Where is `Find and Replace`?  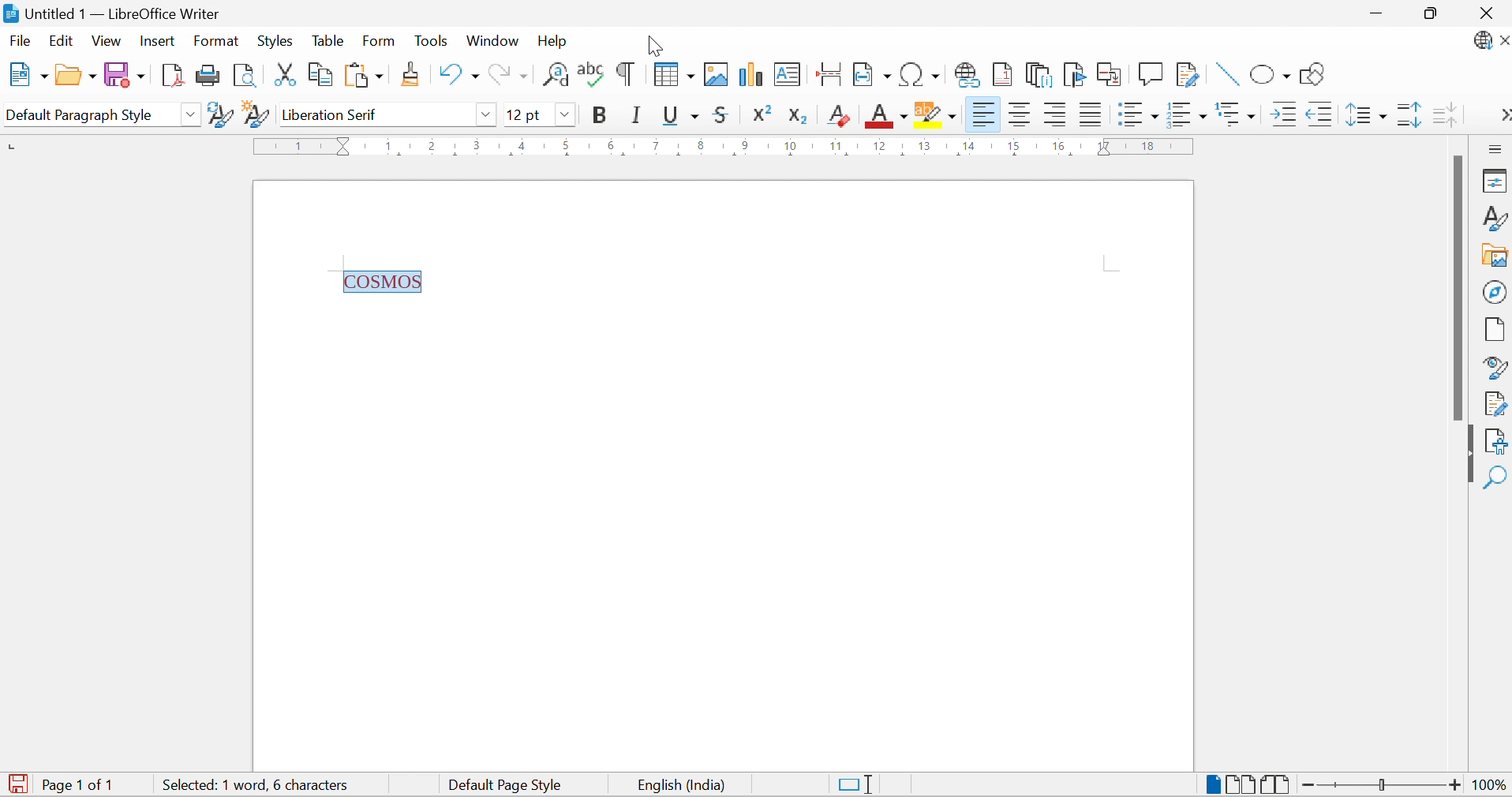
Find and Replace is located at coordinates (556, 75).